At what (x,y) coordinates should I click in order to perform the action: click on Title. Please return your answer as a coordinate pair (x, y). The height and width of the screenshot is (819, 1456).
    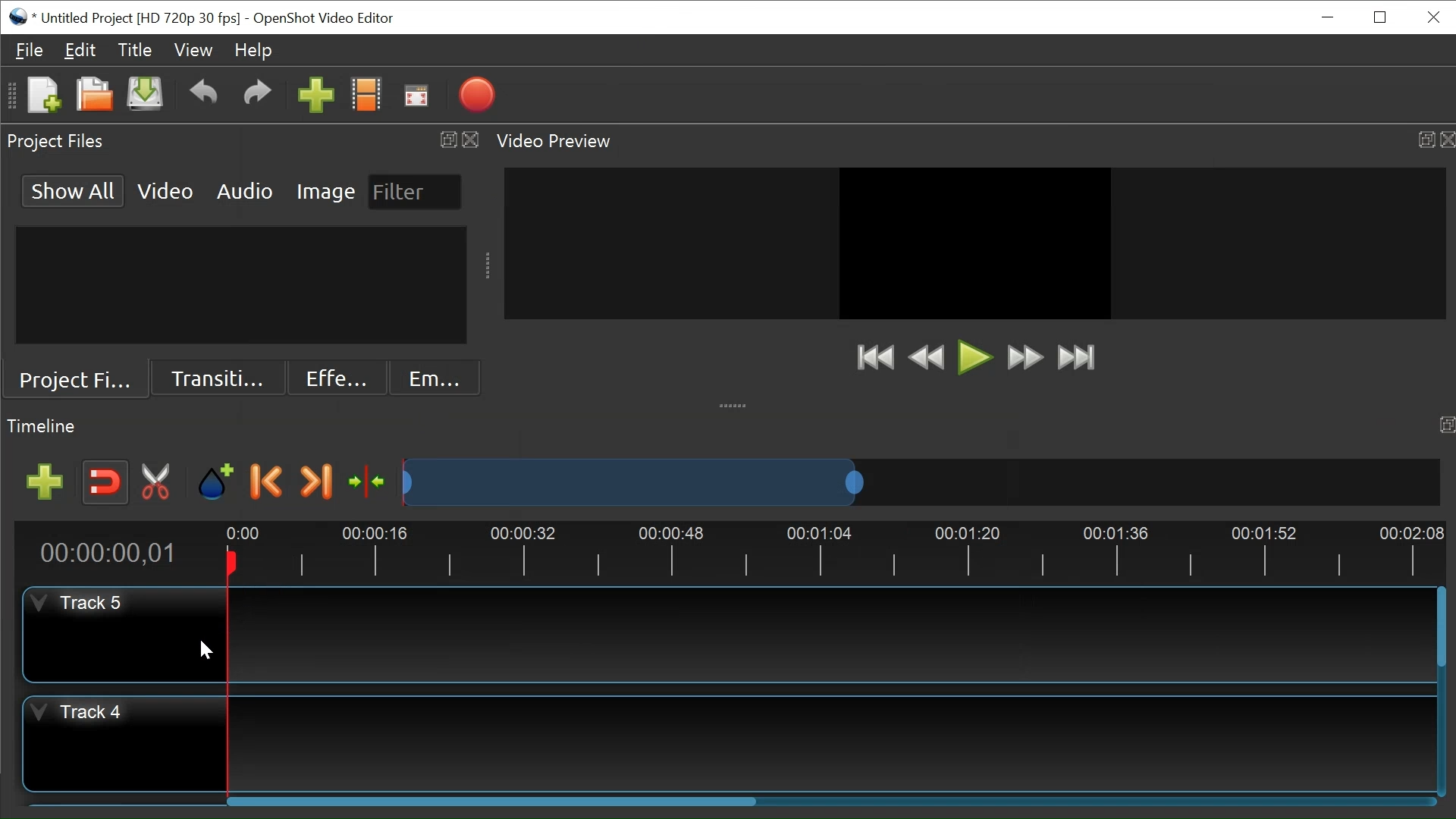
    Looking at the image, I should click on (133, 50).